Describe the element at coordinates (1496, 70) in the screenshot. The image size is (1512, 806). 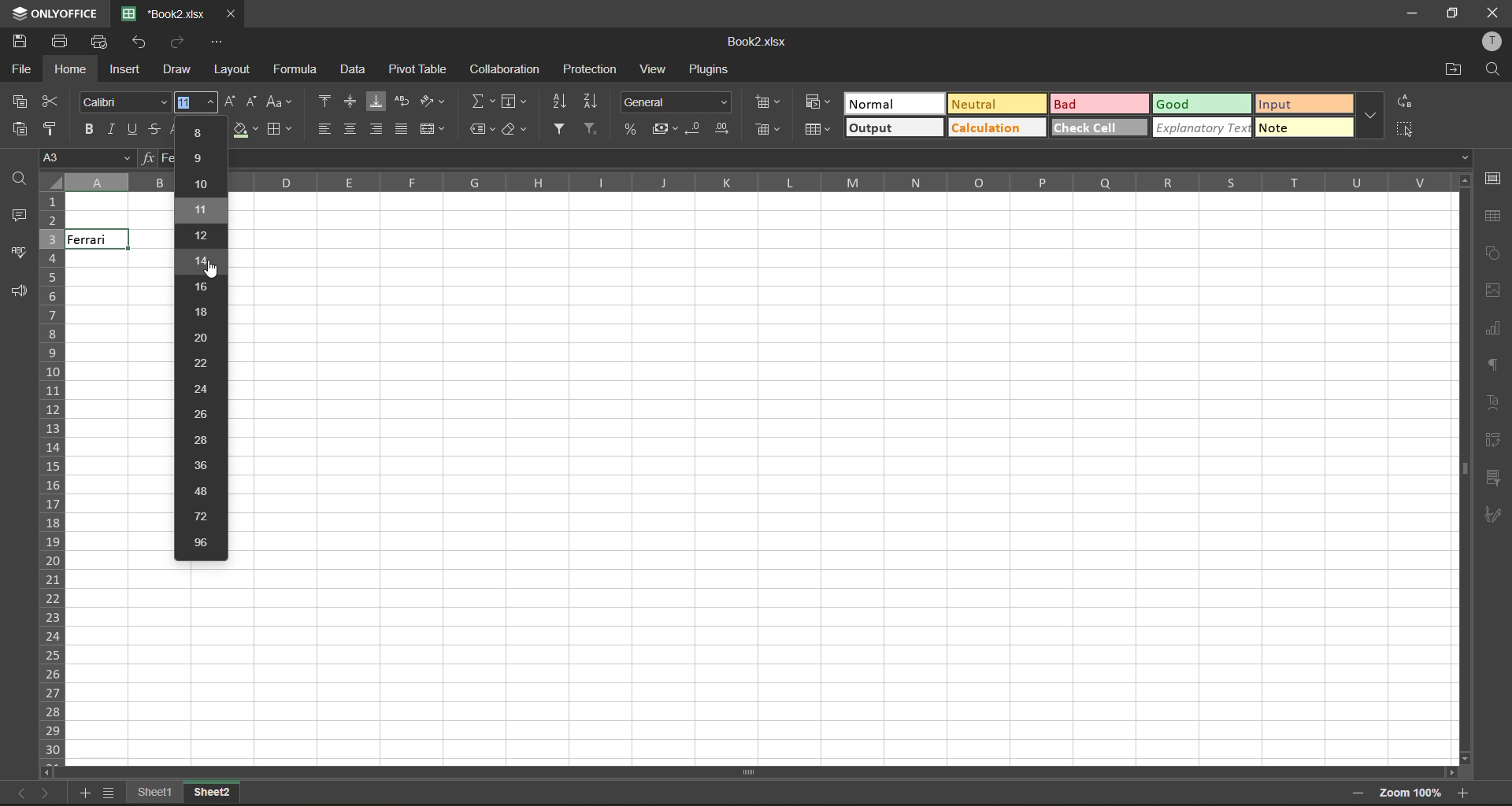
I see `find` at that location.